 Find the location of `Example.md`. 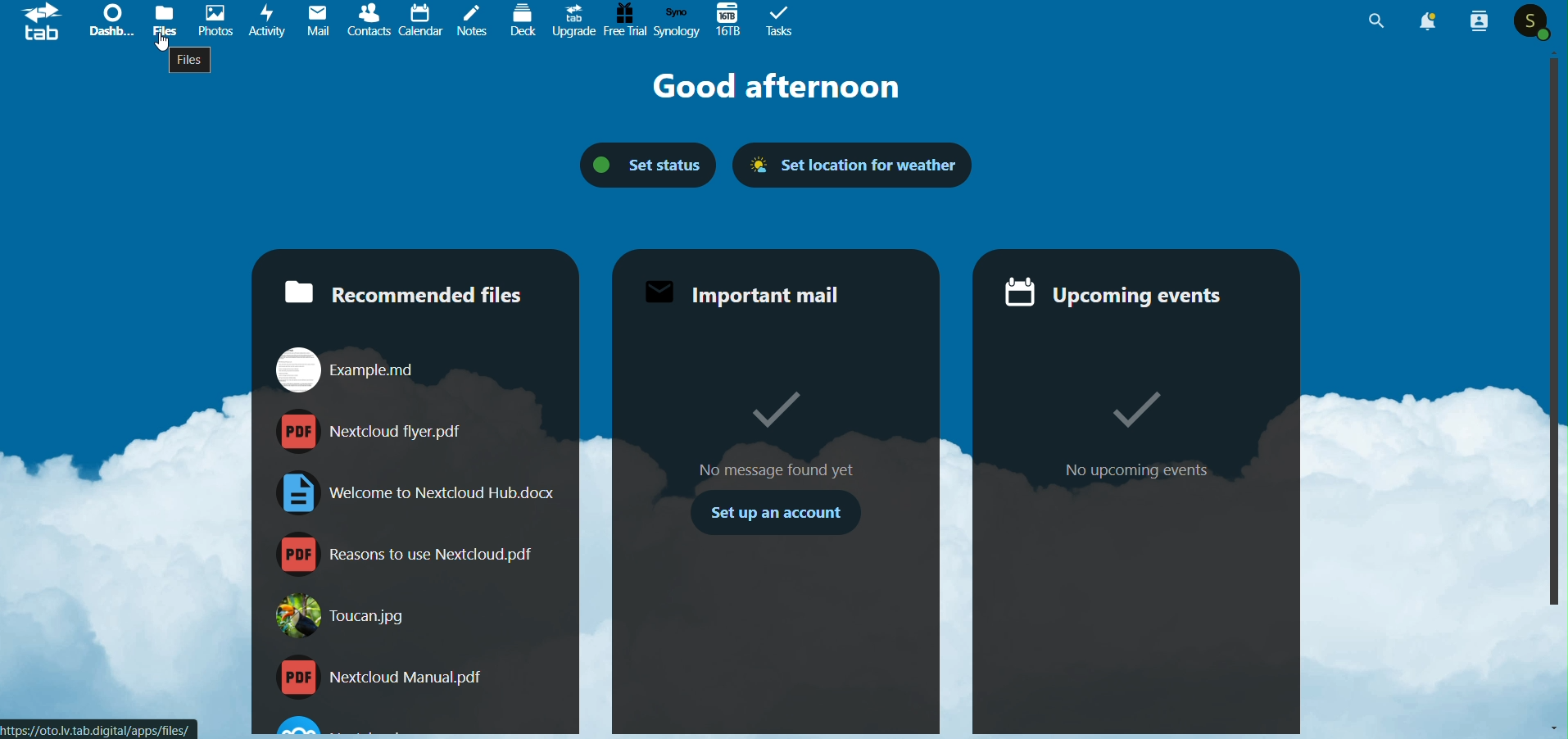

Example.md is located at coordinates (355, 369).